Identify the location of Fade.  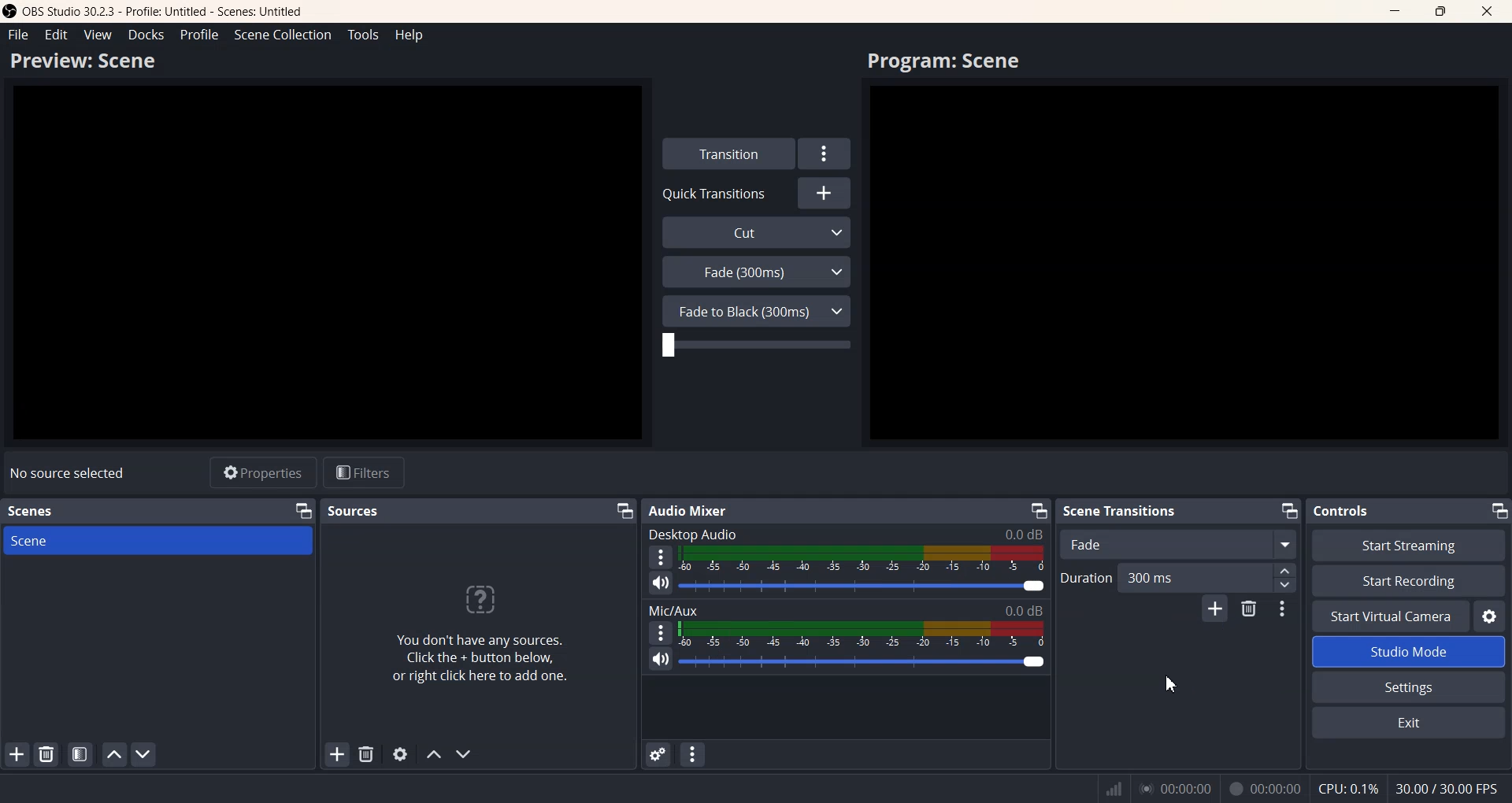
(1178, 543).